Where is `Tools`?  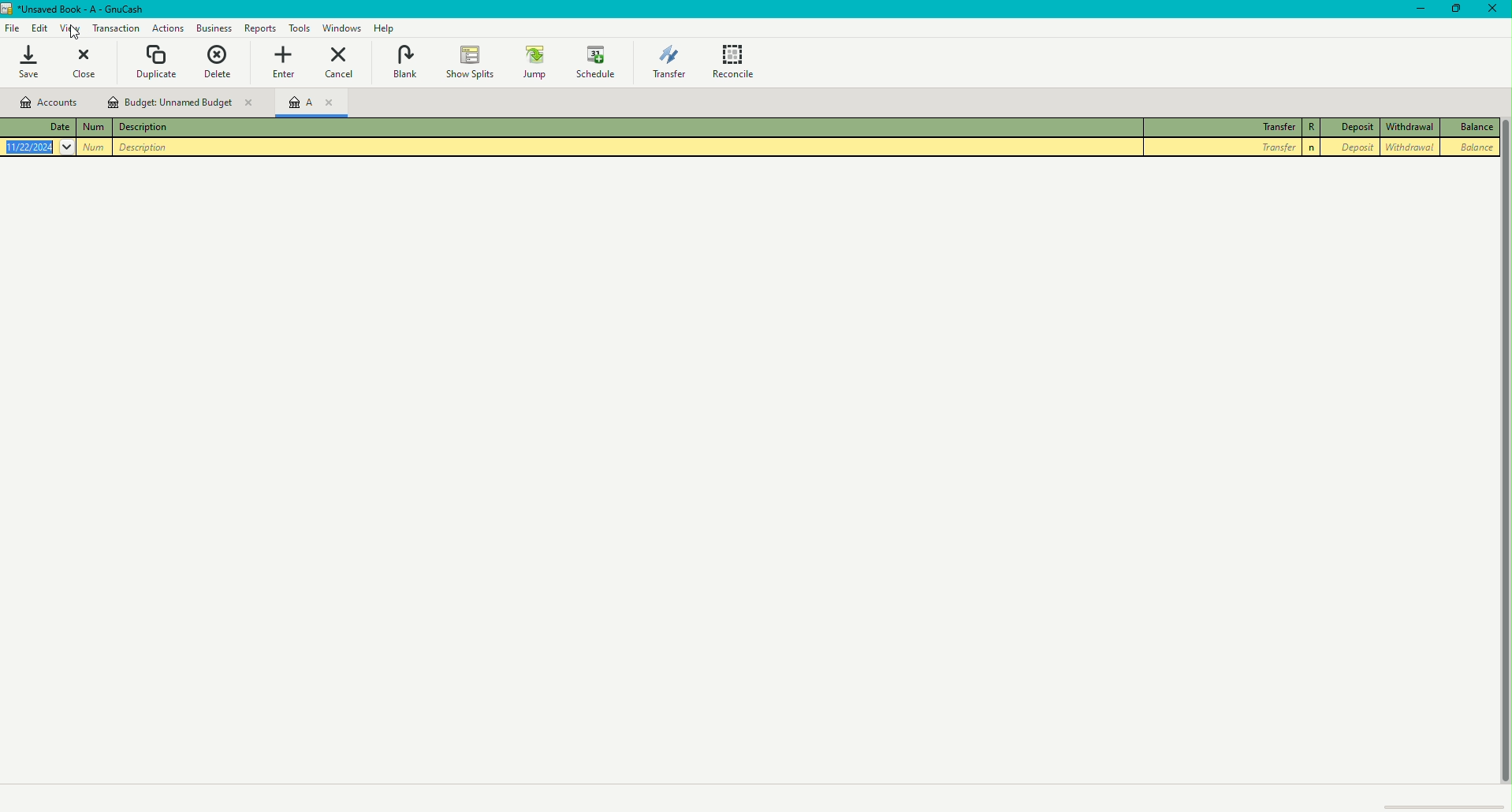
Tools is located at coordinates (299, 27).